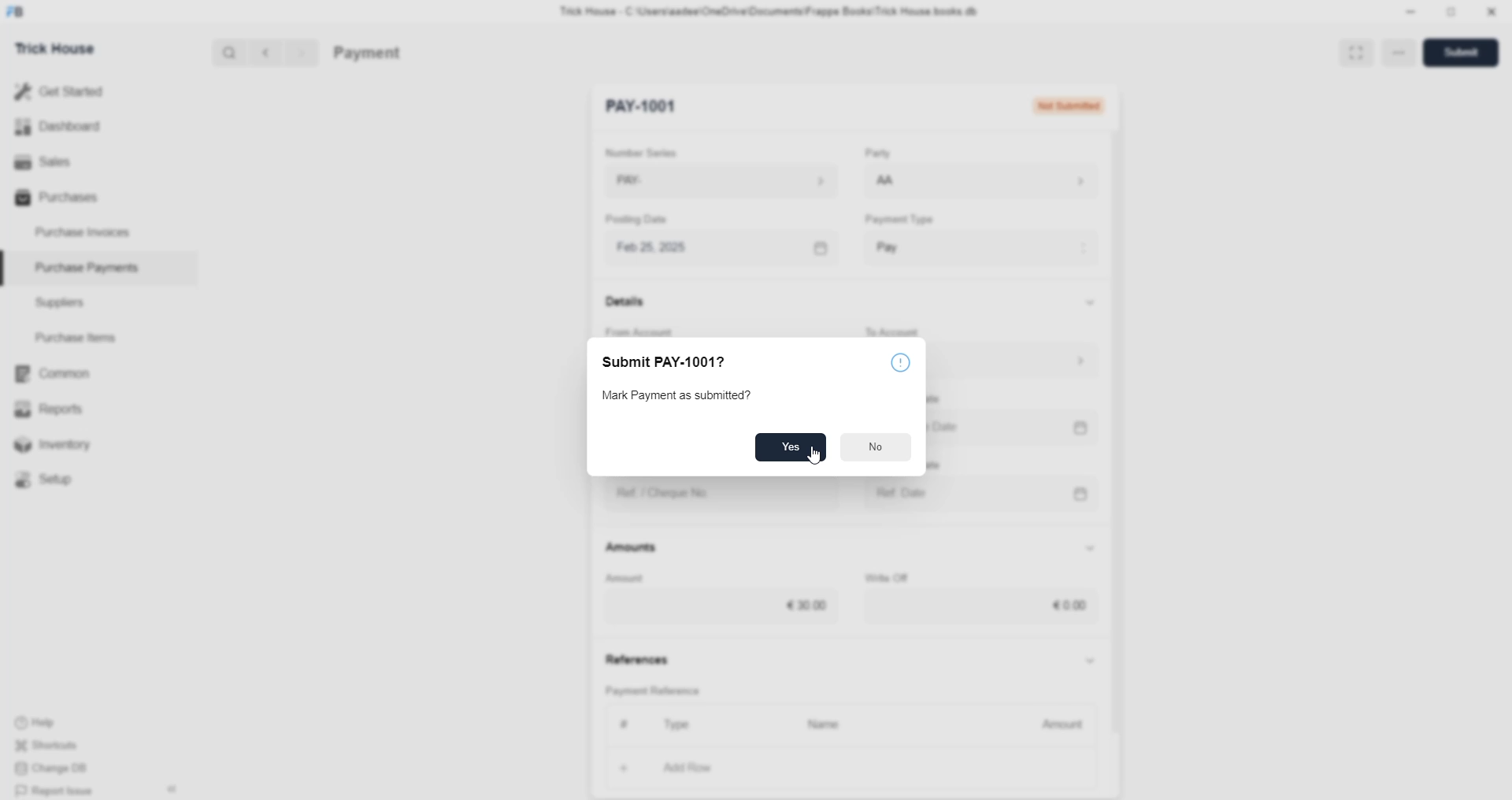 The width and height of the screenshot is (1512, 800). I want to click on >, so click(301, 53).